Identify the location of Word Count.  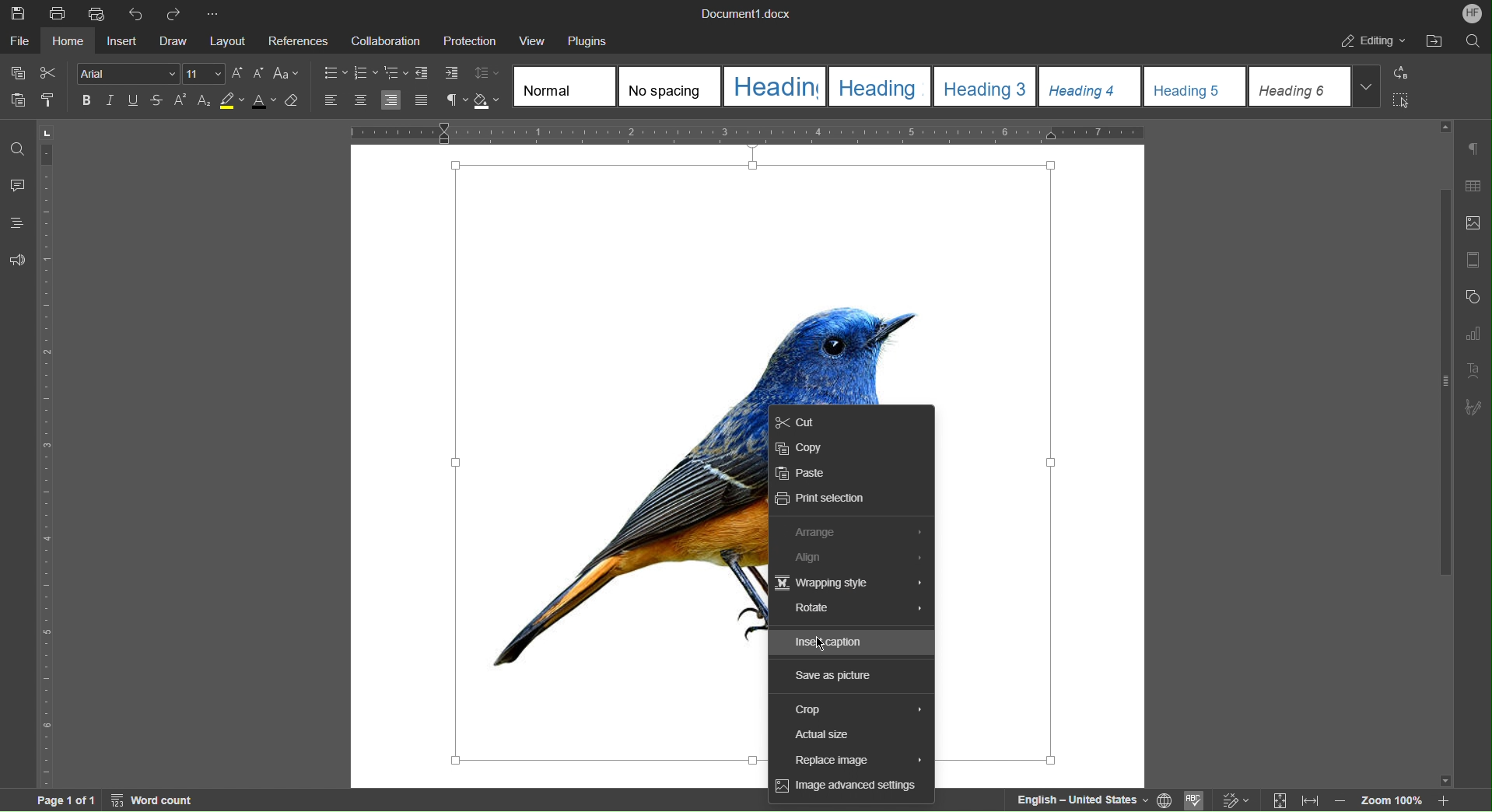
(156, 800).